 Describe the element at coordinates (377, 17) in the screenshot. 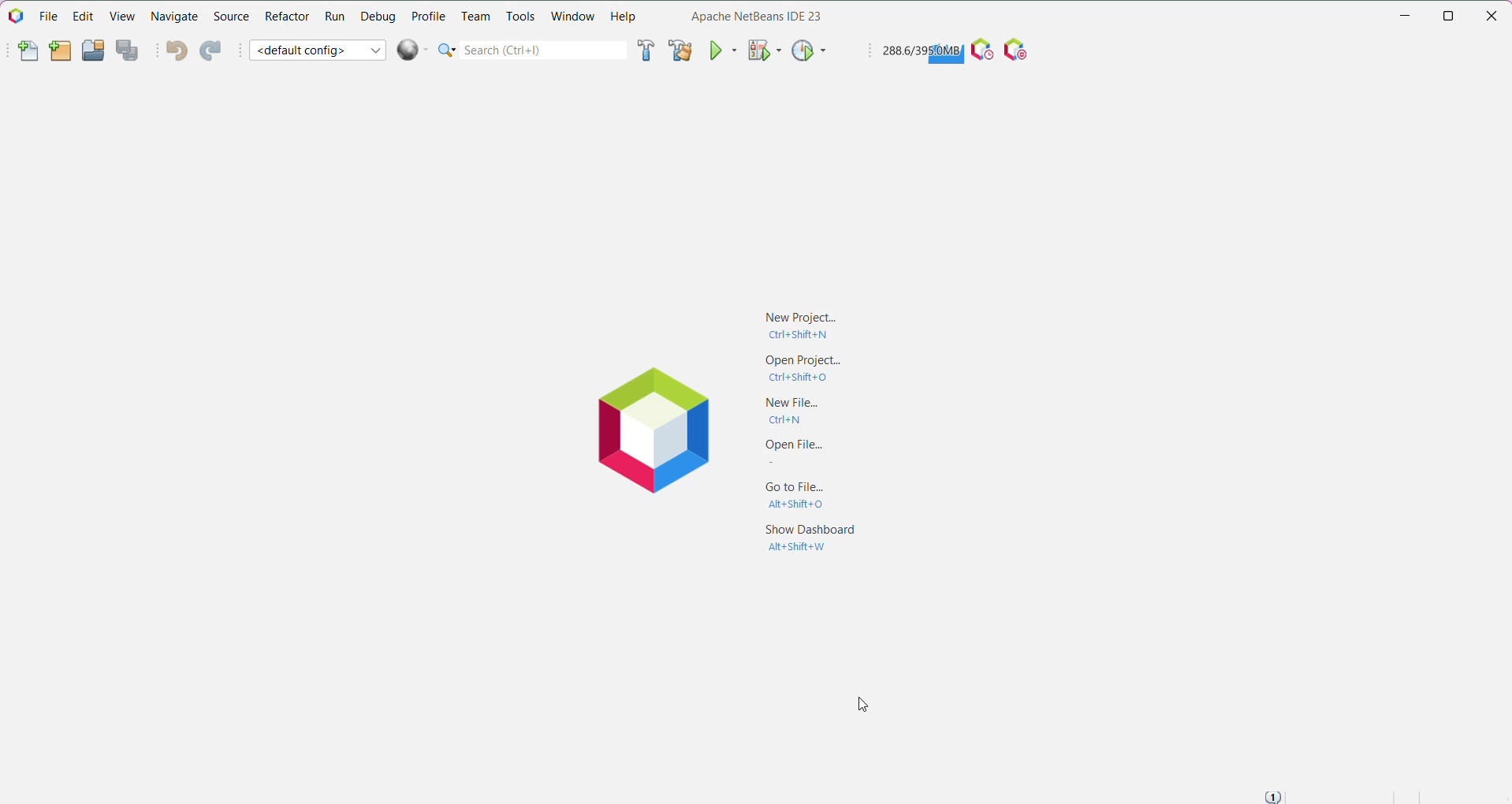

I see `Debug` at that location.